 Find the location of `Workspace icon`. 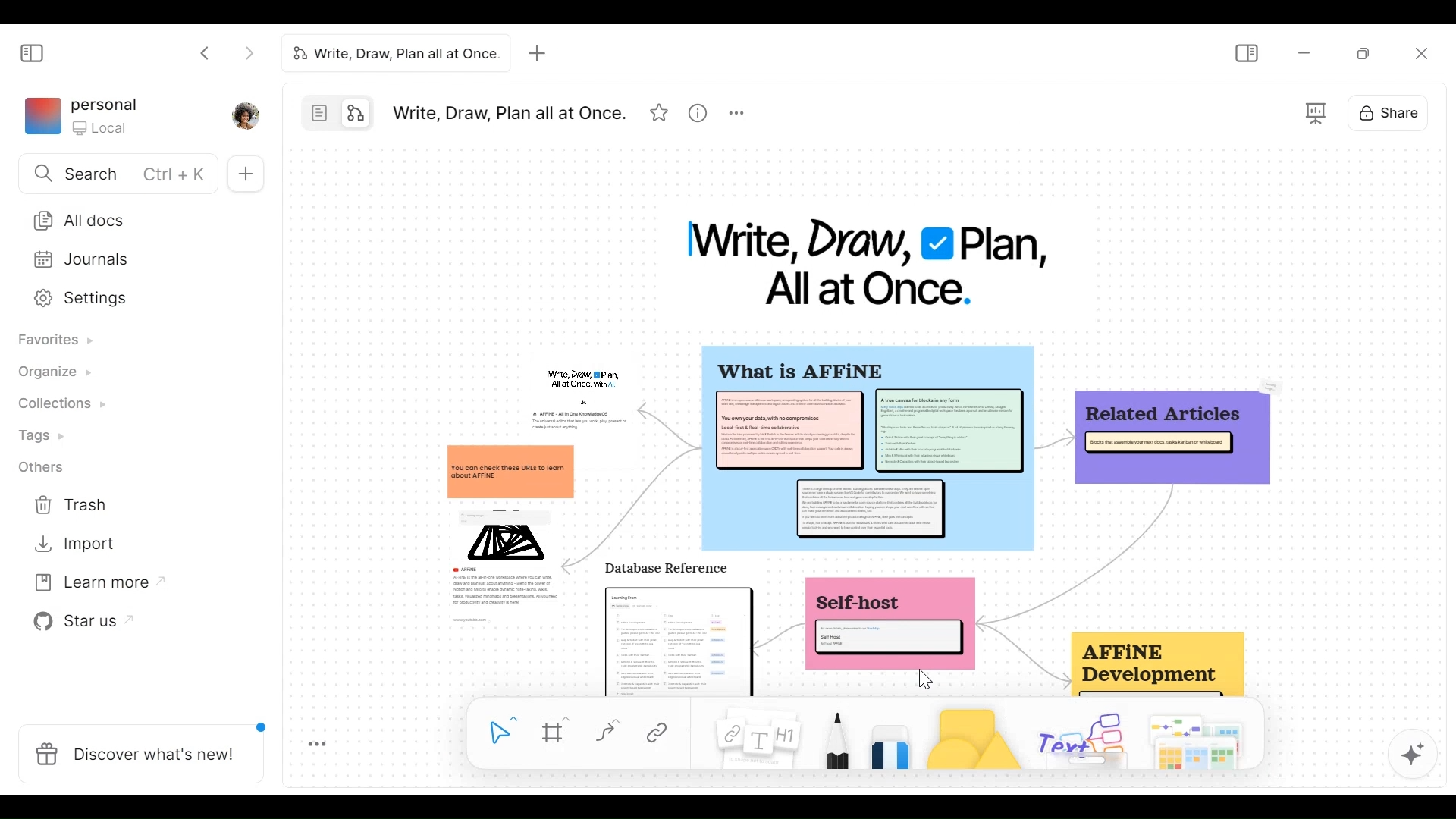

Workspace icon is located at coordinates (80, 115).